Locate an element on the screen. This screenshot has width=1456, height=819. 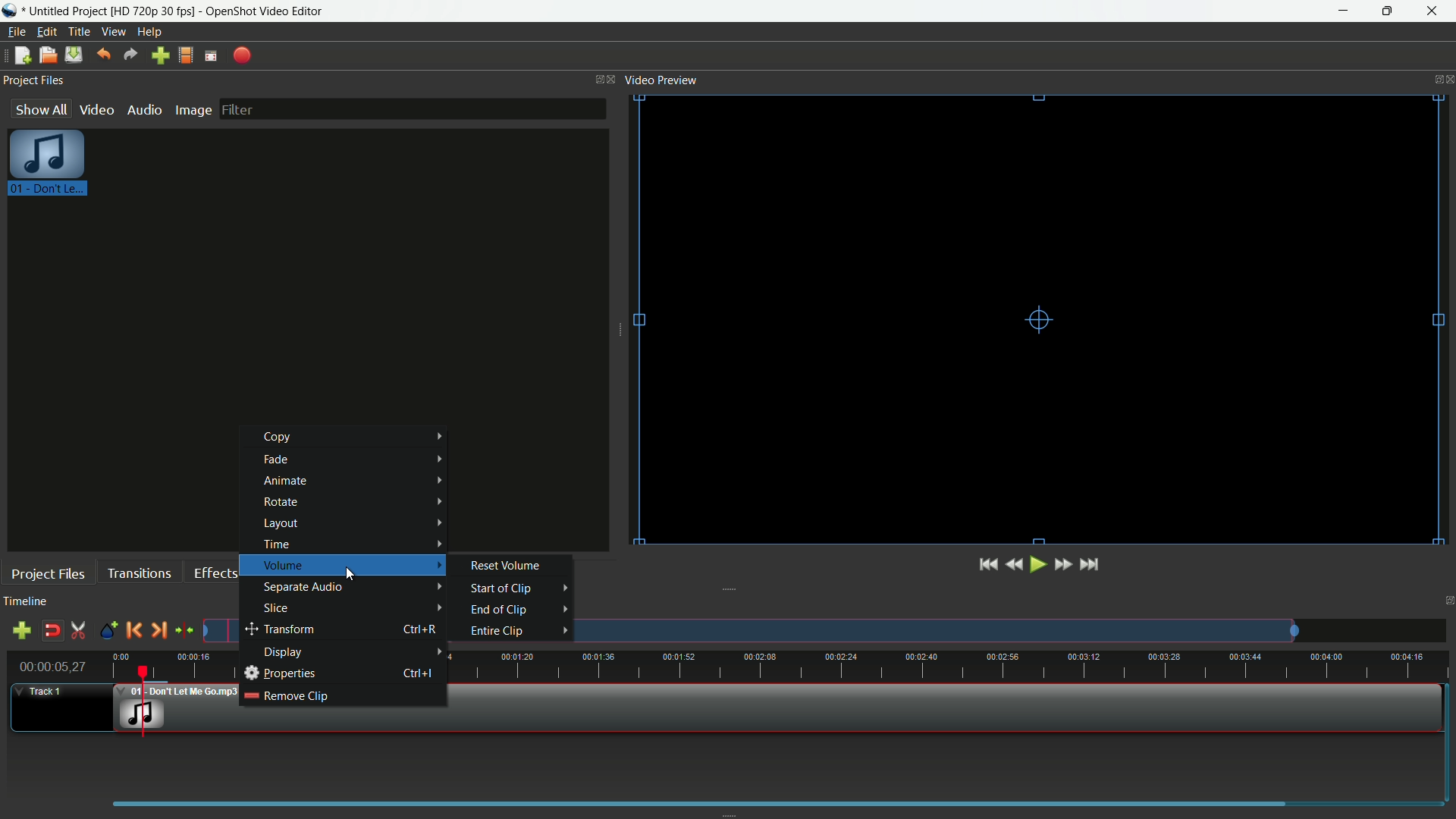
close timeline is located at coordinates (1447, 603).